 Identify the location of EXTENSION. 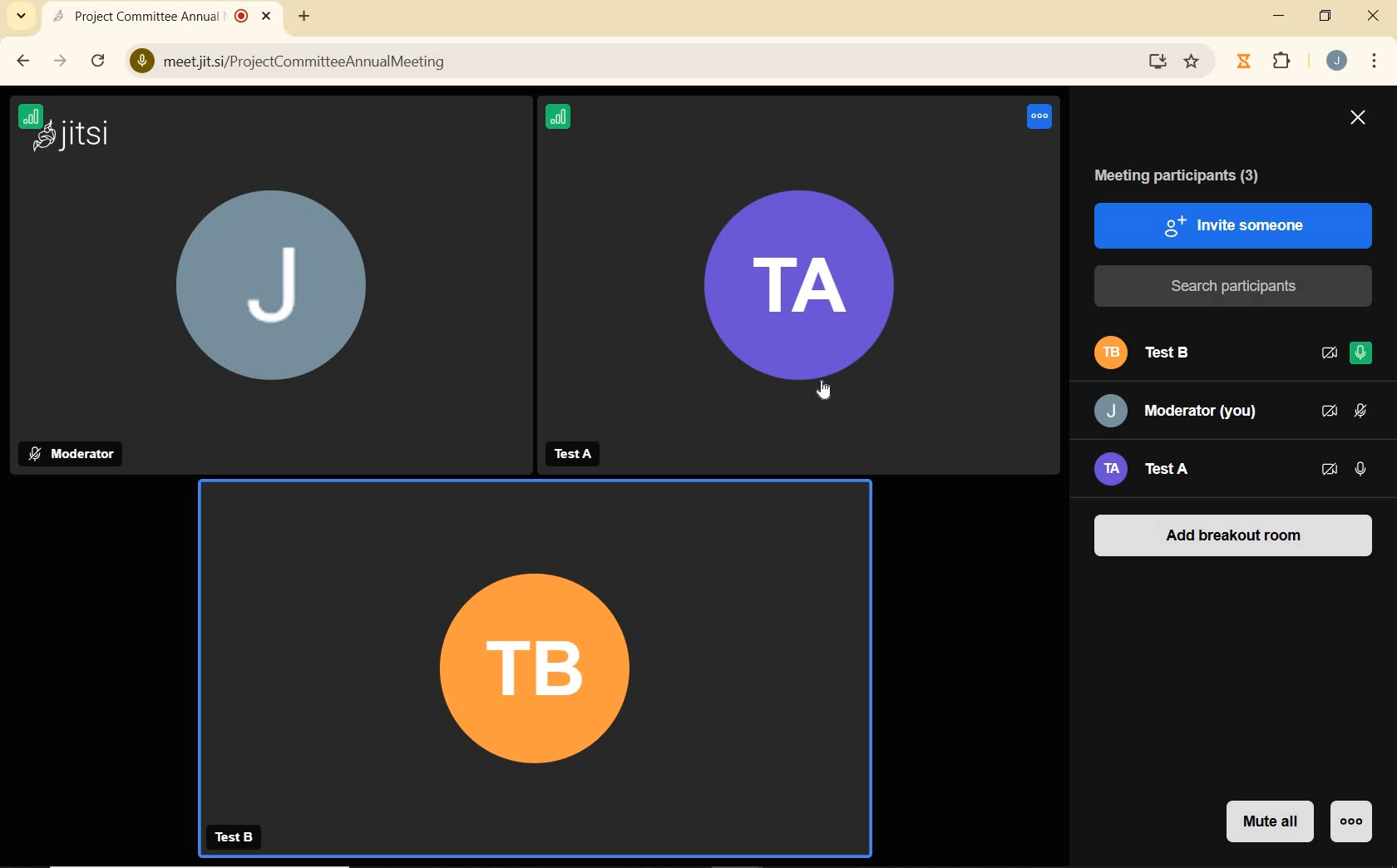
(1281, 60).